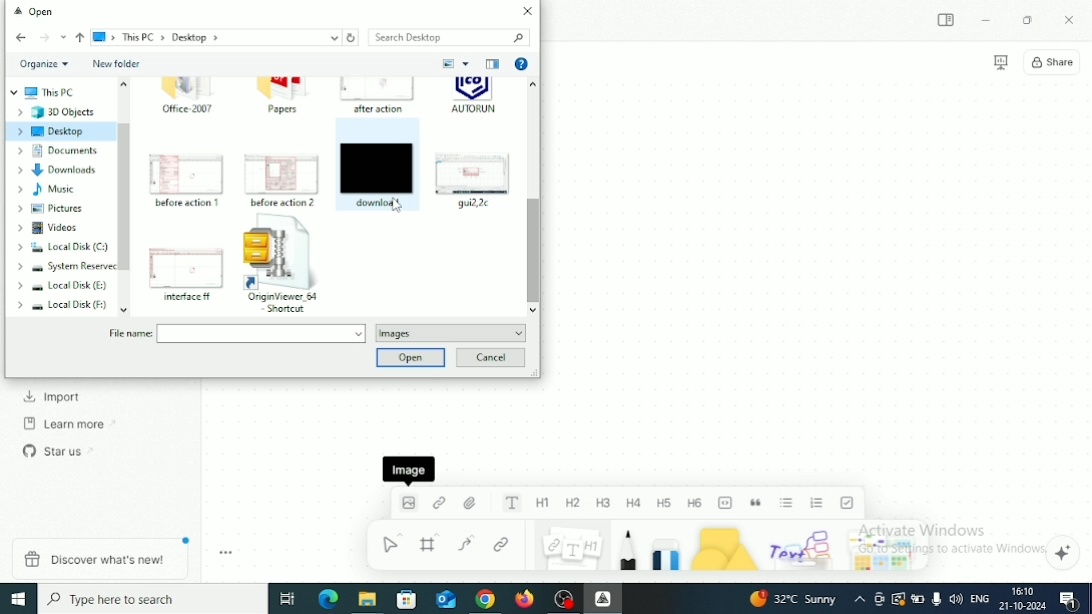 The image size is (1092, 614). Describe the element at coordinates (936, 599) in the screenshot. I see `Mic` at that location.